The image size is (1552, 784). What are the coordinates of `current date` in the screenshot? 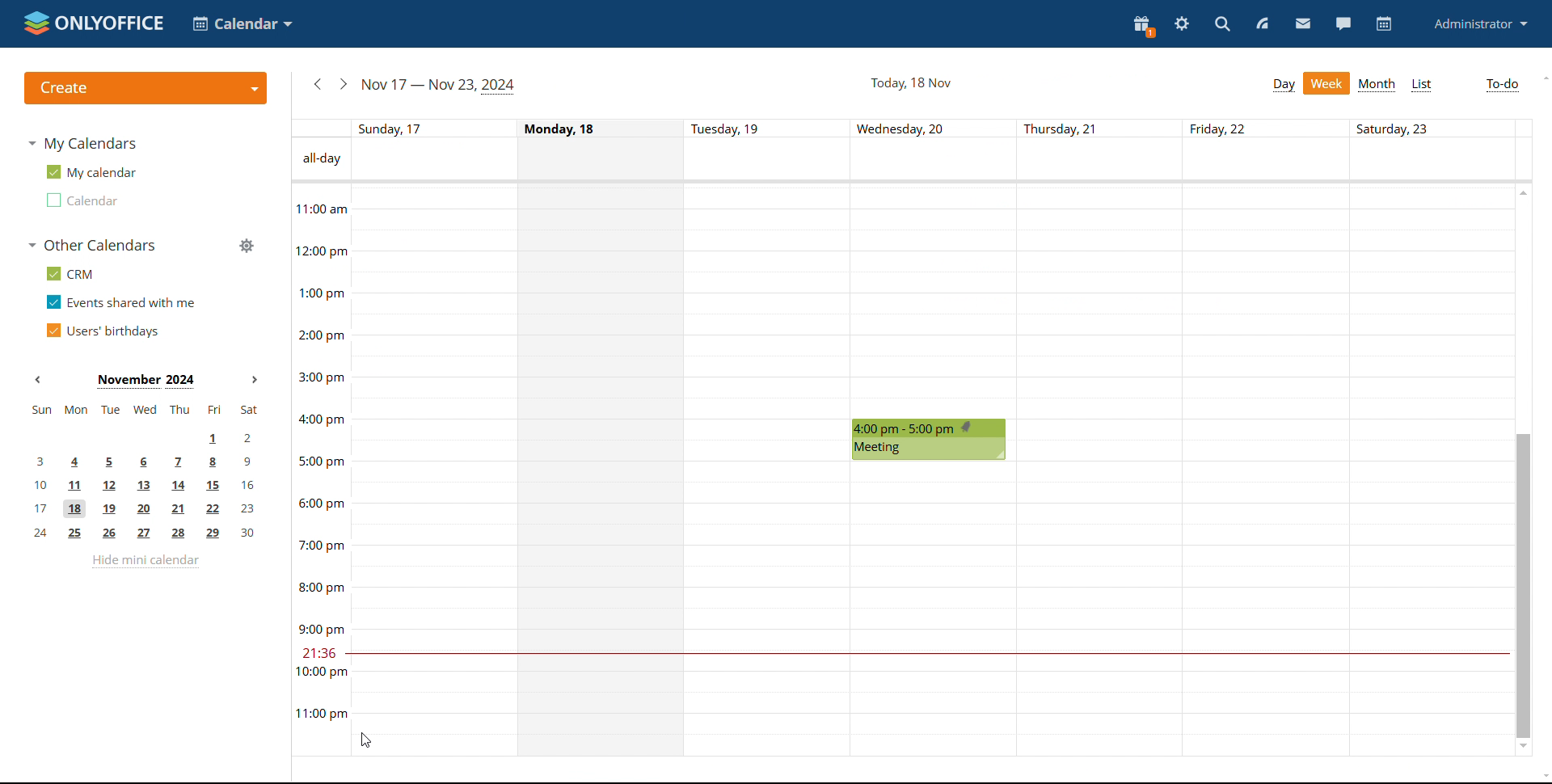 It's located at (909, 83).